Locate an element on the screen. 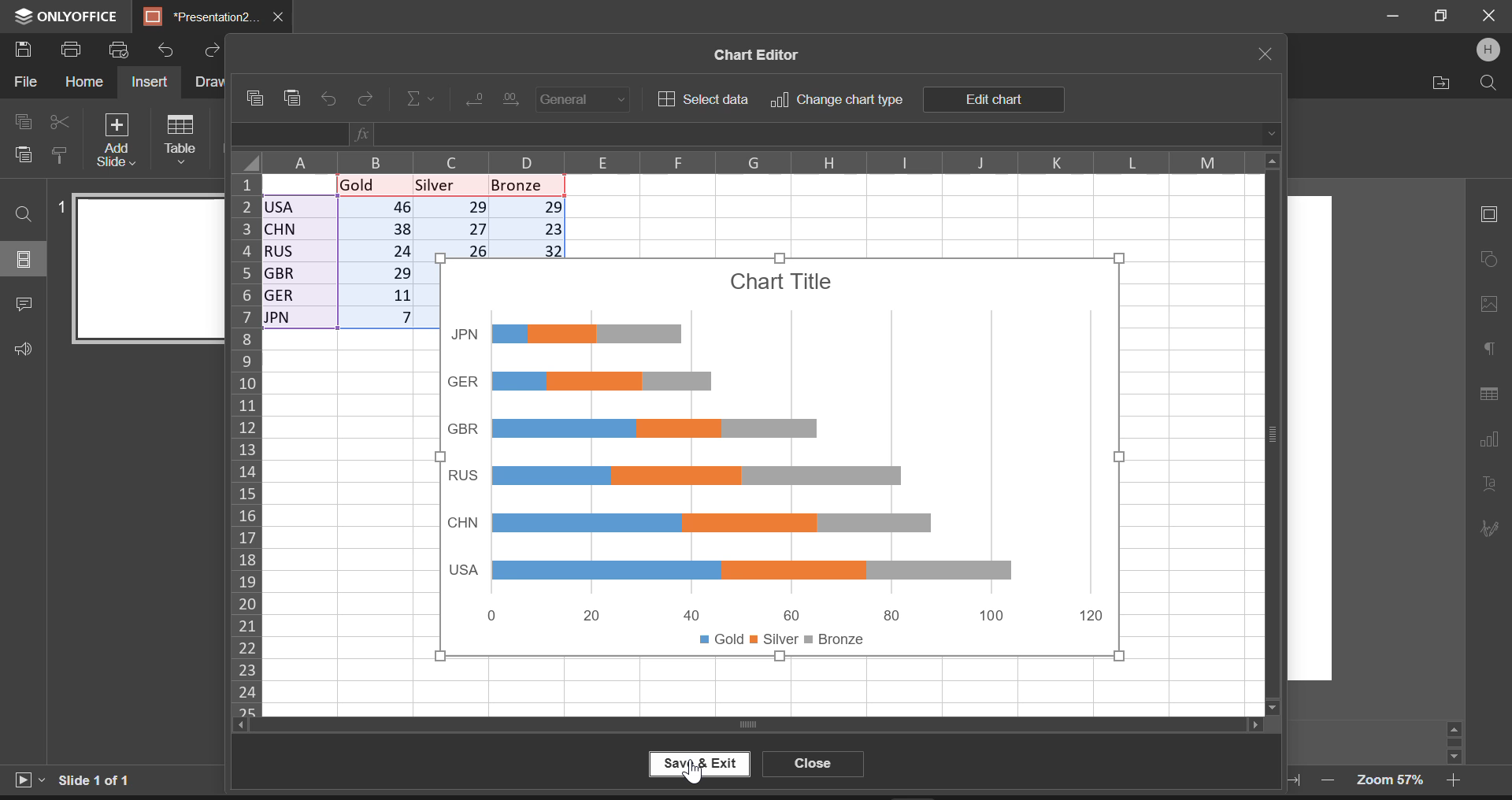 This screenshot has width=1512, height=800. Table Settings is located at coordinates (1489, 394).